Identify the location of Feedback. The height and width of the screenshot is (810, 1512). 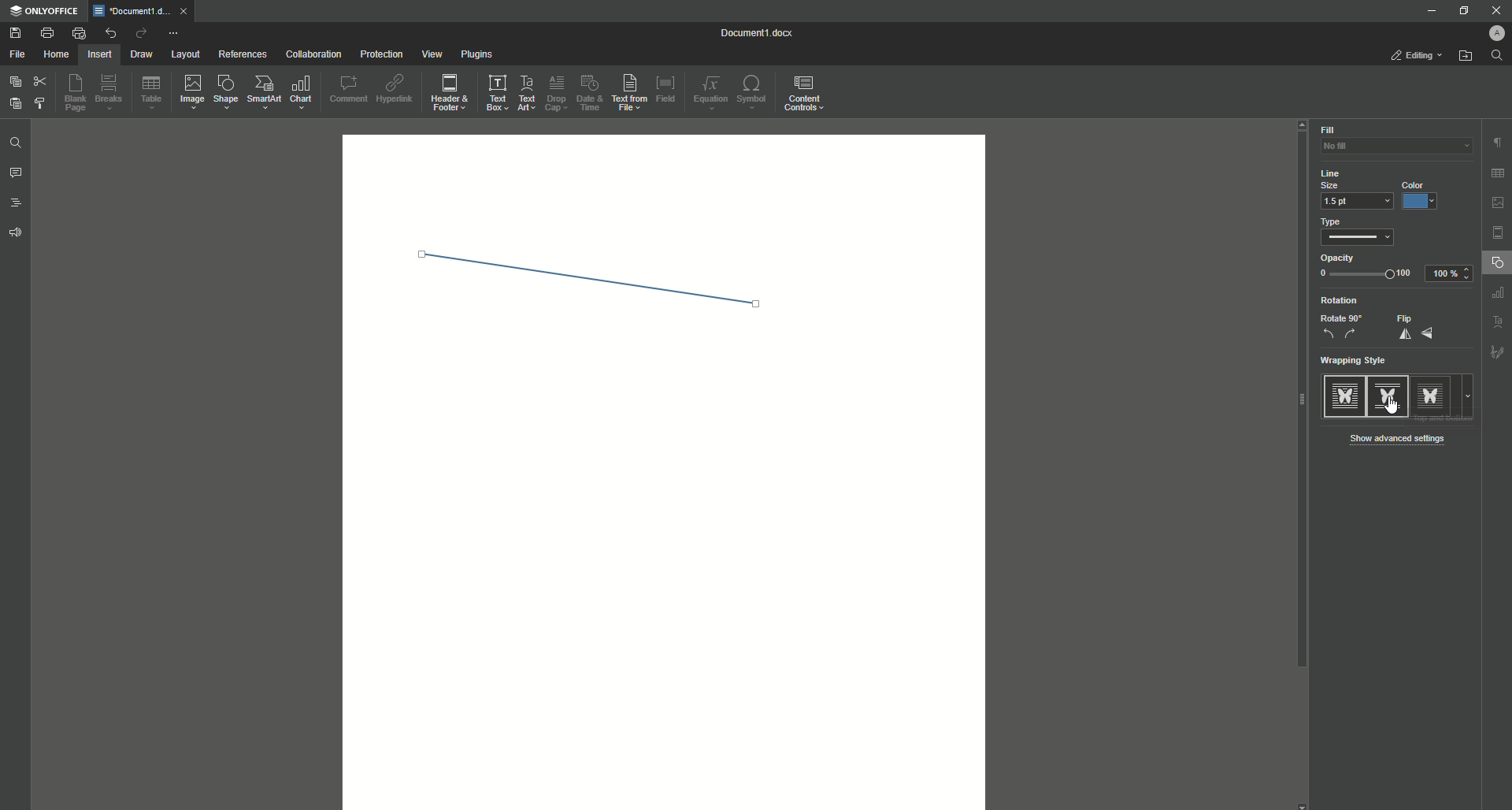
(13, 236).